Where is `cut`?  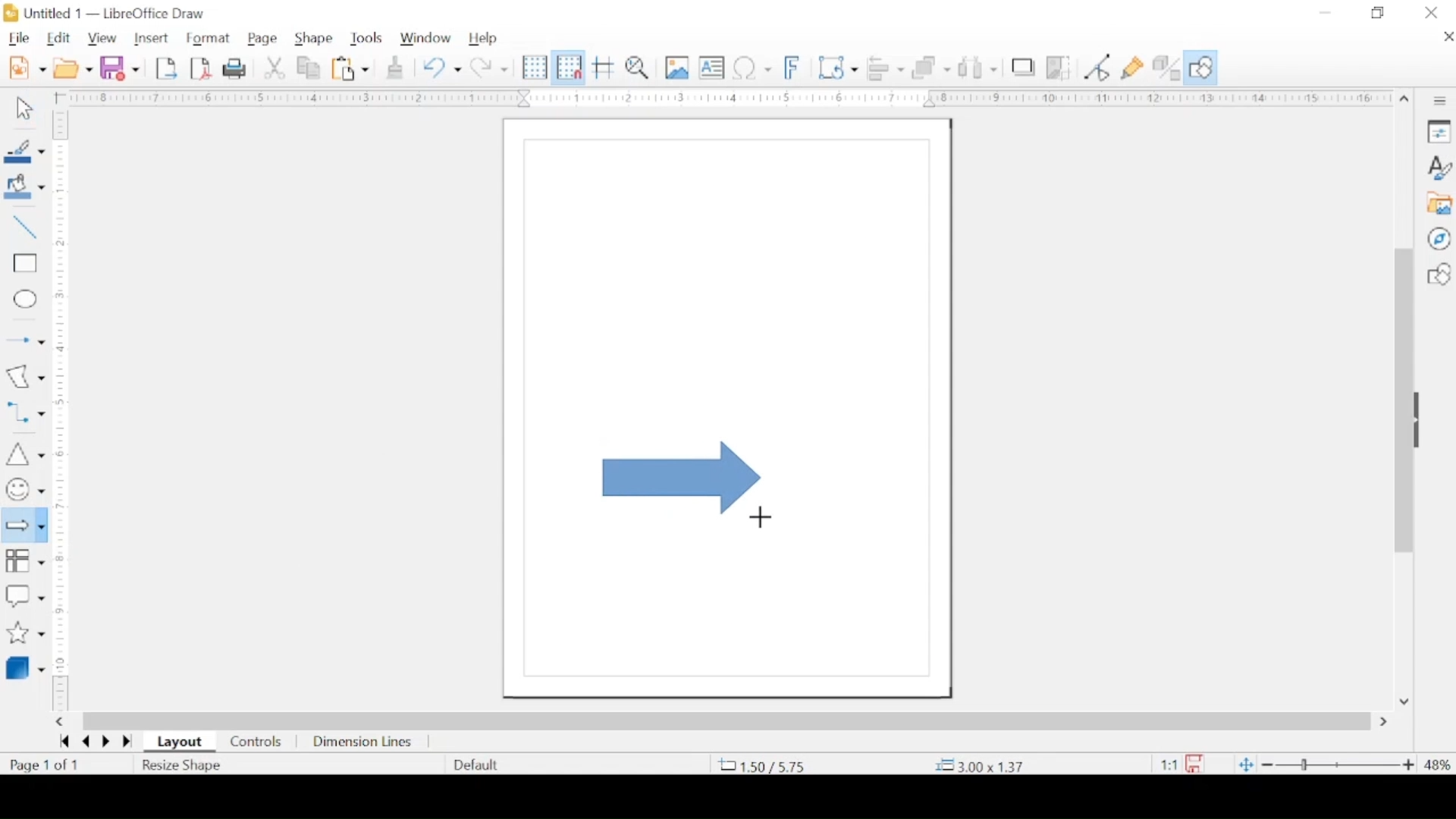
cut is located at coordinates (275, 67).